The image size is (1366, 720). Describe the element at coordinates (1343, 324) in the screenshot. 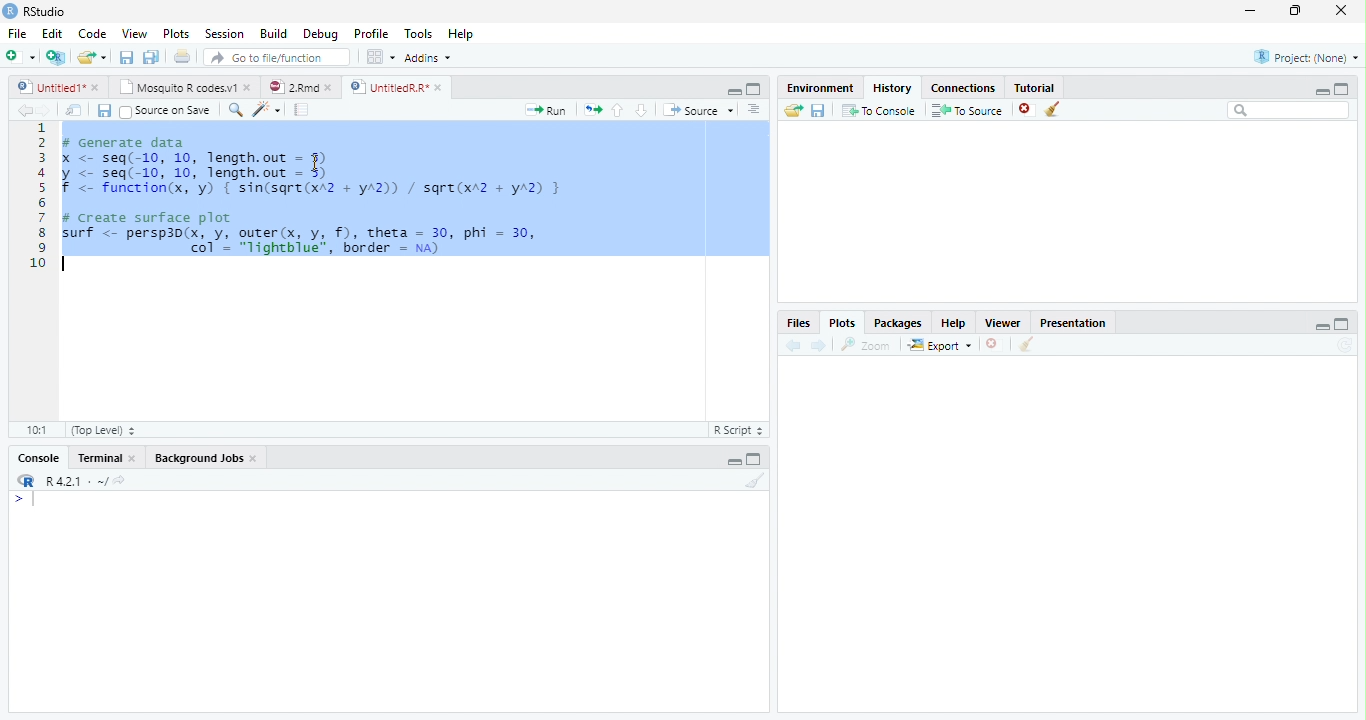

I see `maximize` at that location.